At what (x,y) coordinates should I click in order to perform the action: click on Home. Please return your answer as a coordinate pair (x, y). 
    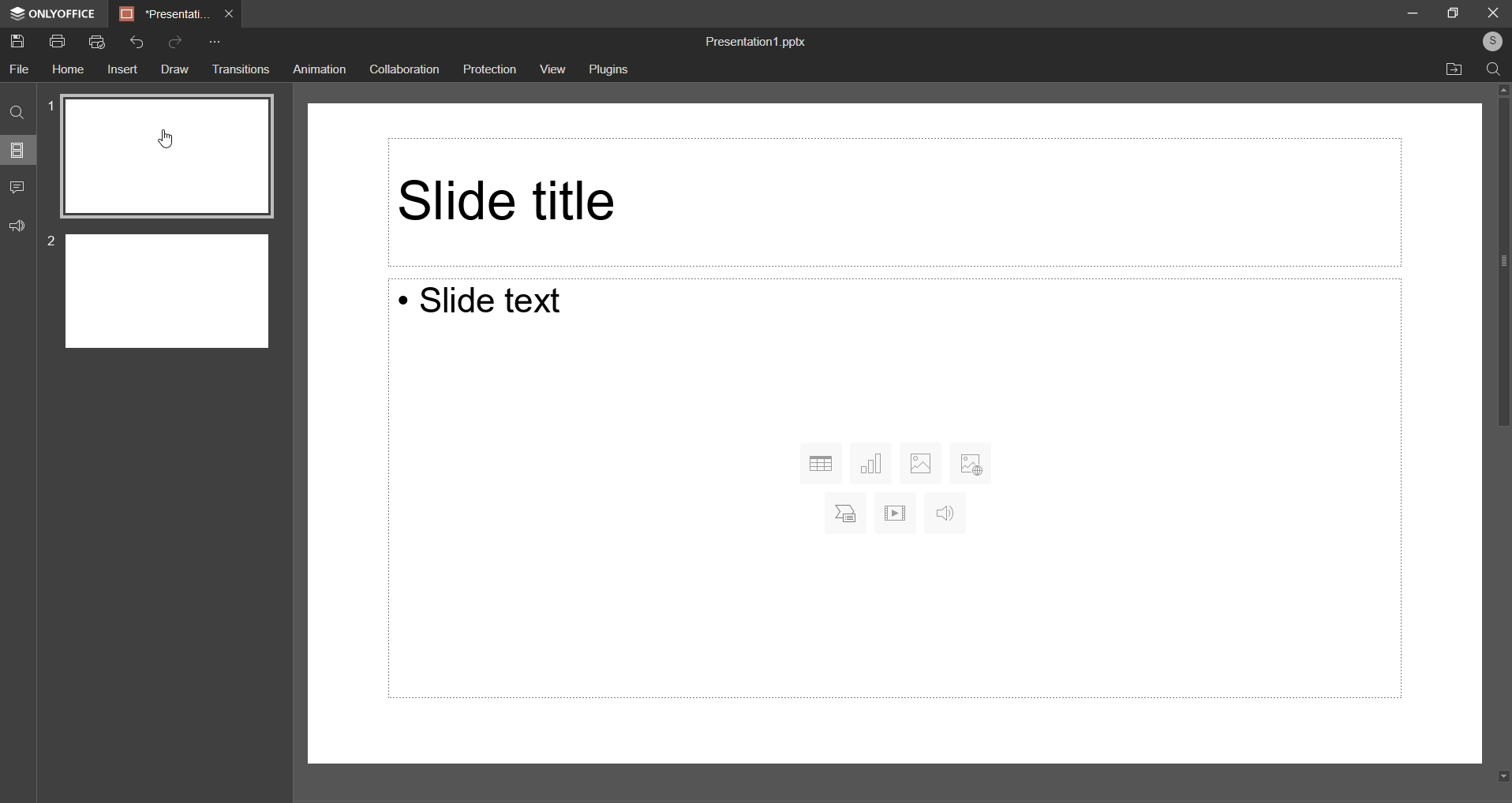
    Looking at the image, I should click on (69, 69).